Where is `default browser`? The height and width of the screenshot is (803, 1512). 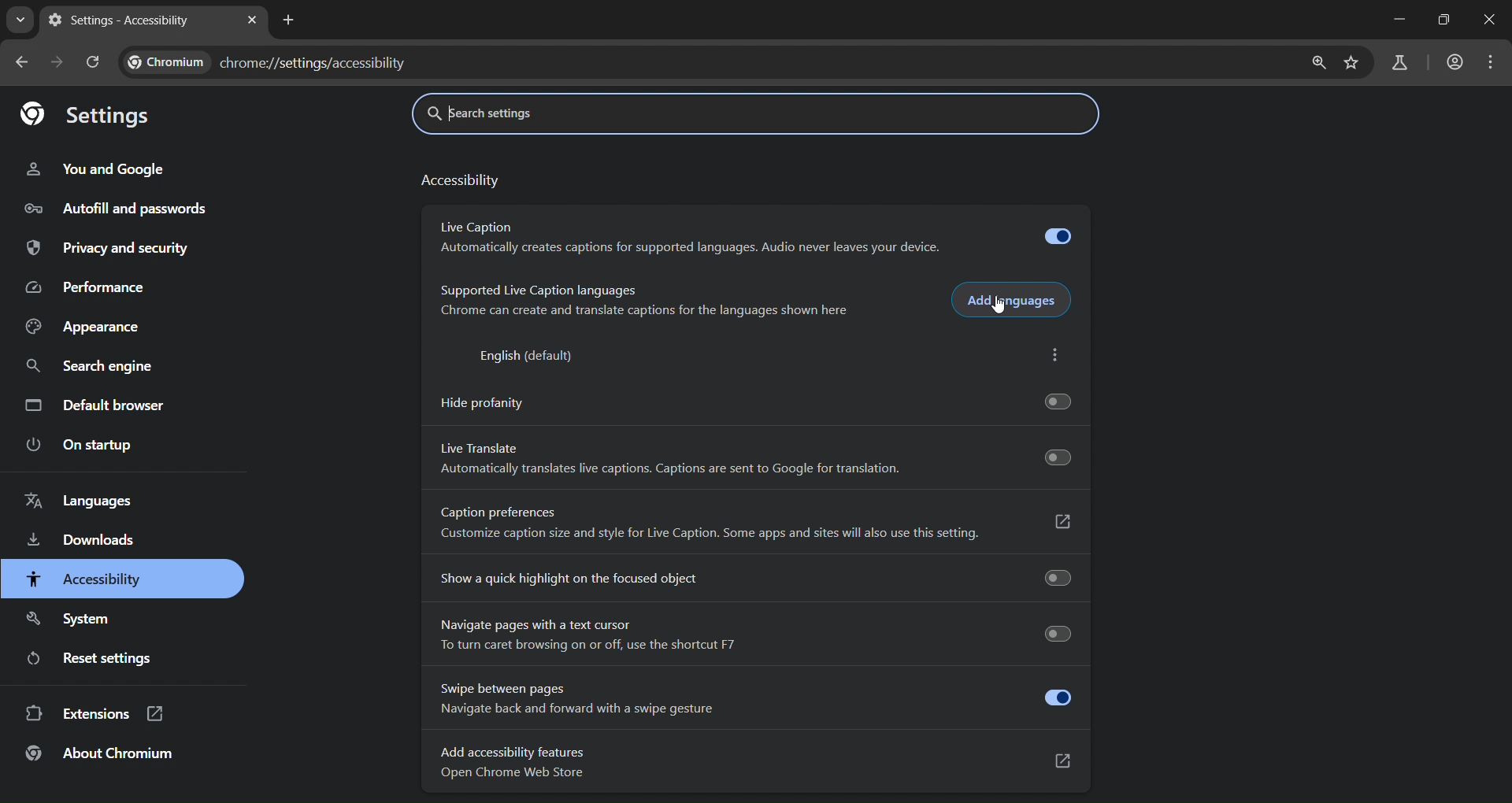
default browser is located at coordinates (97, 405).